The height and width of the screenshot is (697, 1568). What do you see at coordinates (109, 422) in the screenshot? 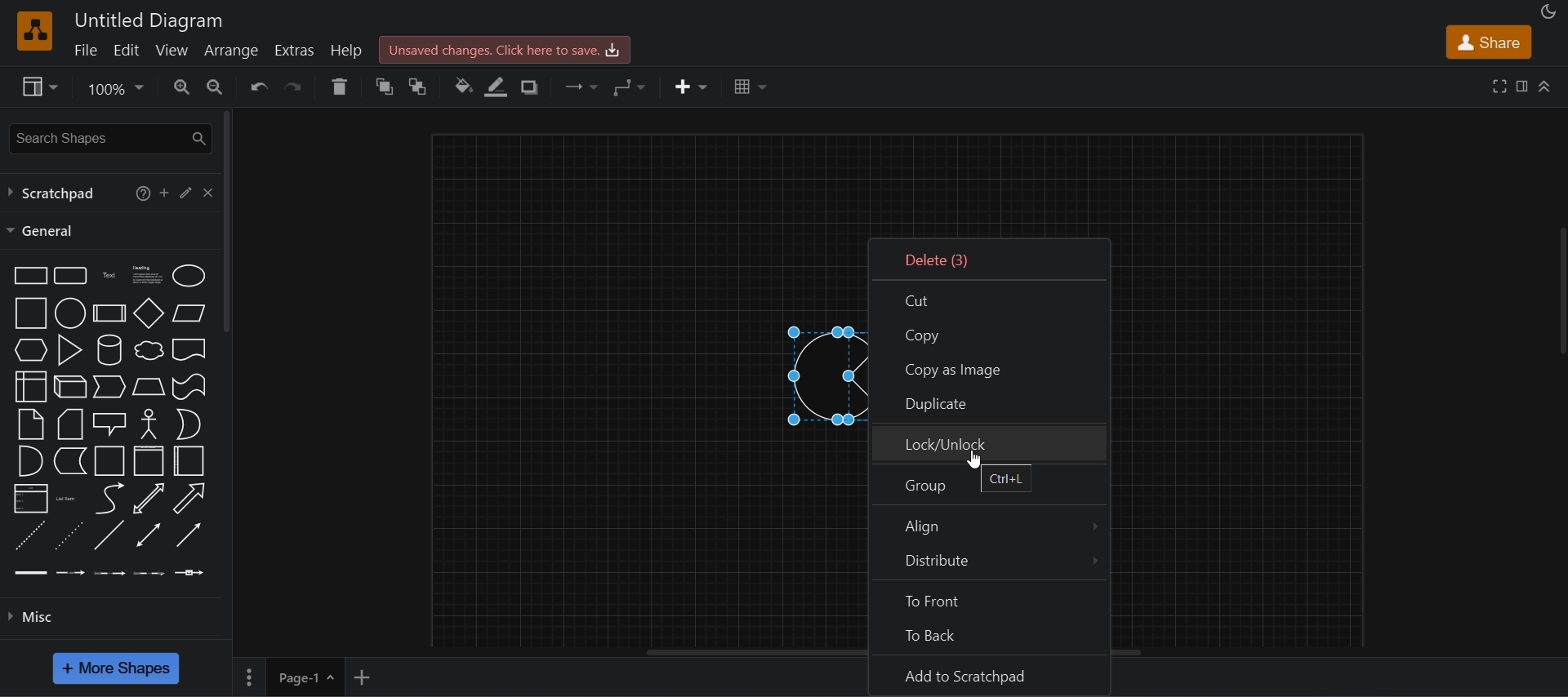
I see `call out` at bounding box center [109, 422].